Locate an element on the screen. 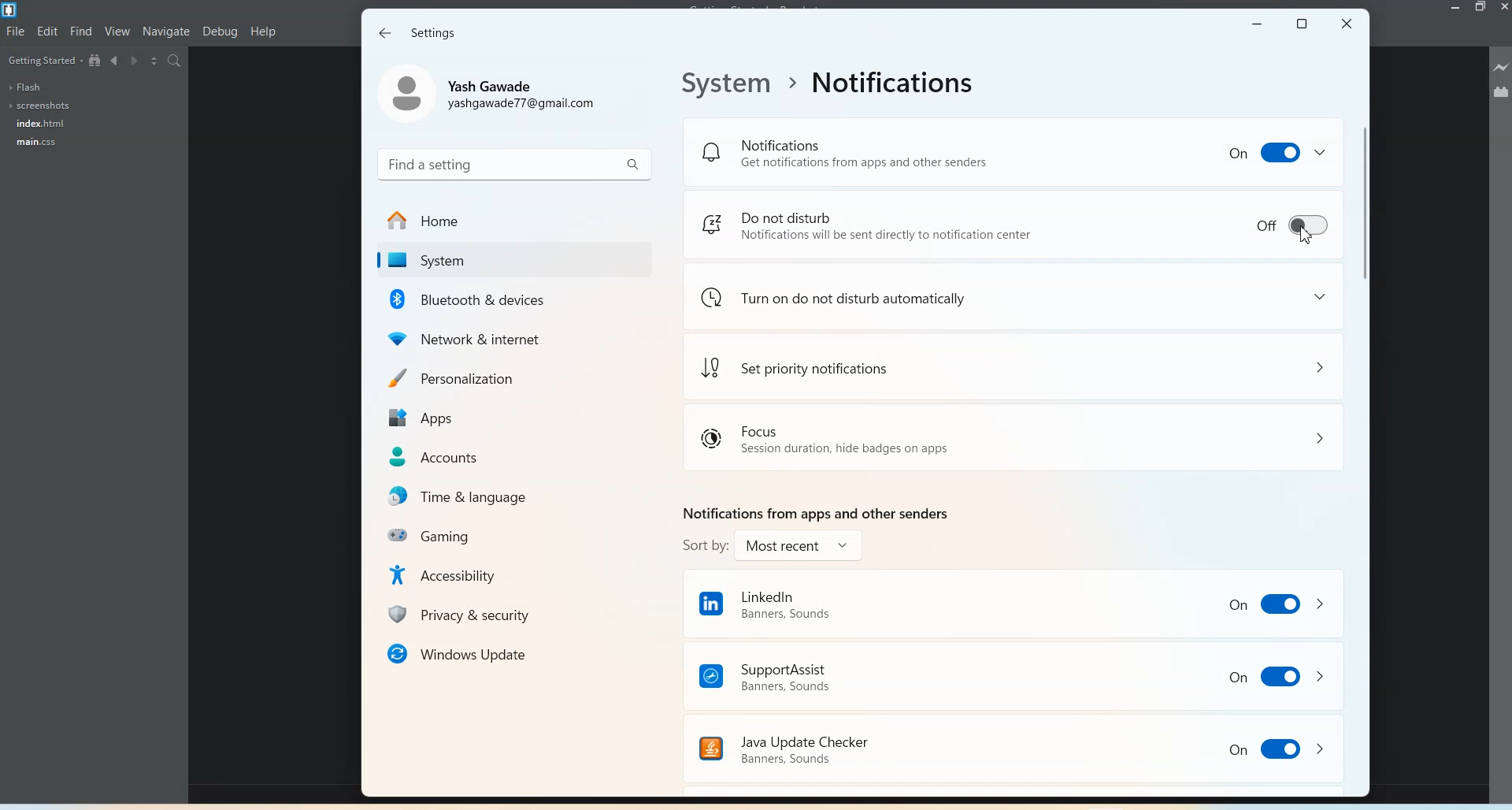 This screenshot has width=1512, height=810. Edit is located at coordinates (47, 32).